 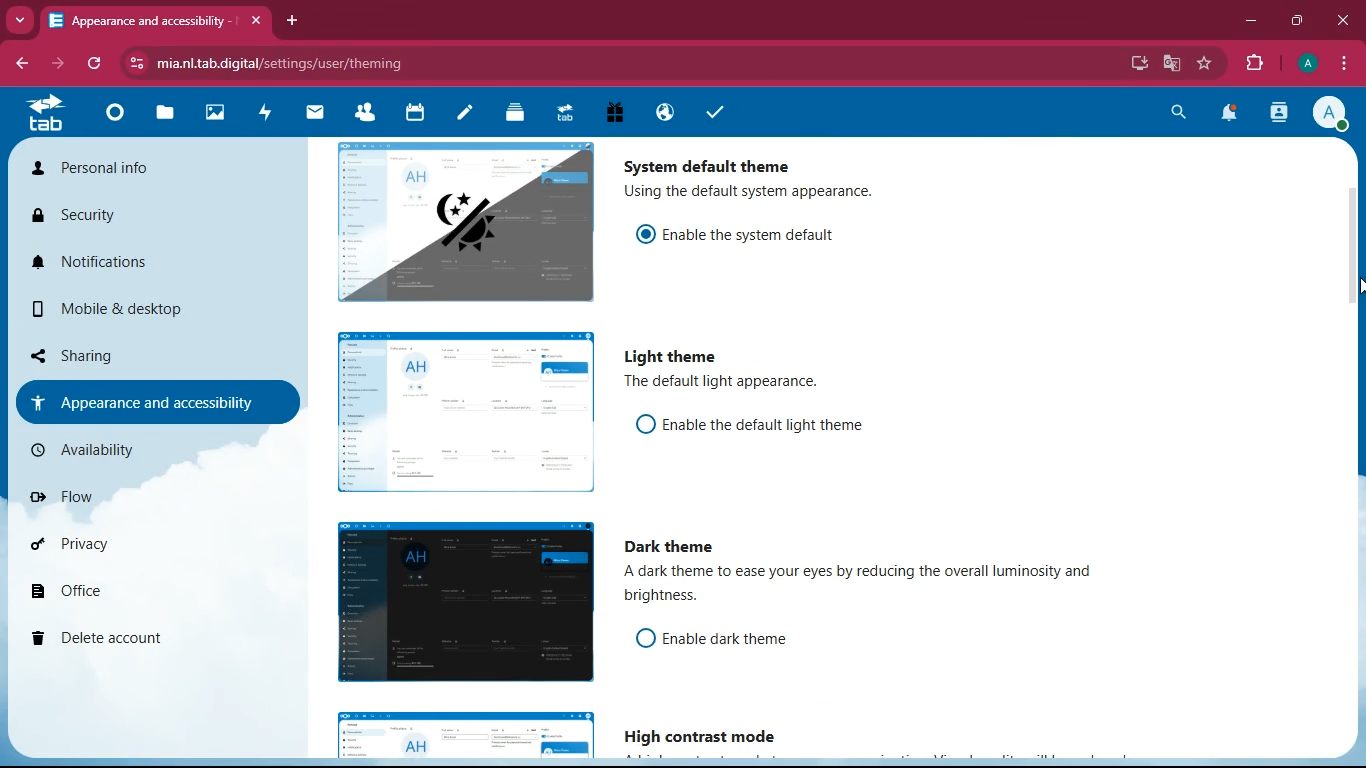 What do you see at coordinates (461, 601) in the screenshot?
I see `image` at bounding box center [461, 601].